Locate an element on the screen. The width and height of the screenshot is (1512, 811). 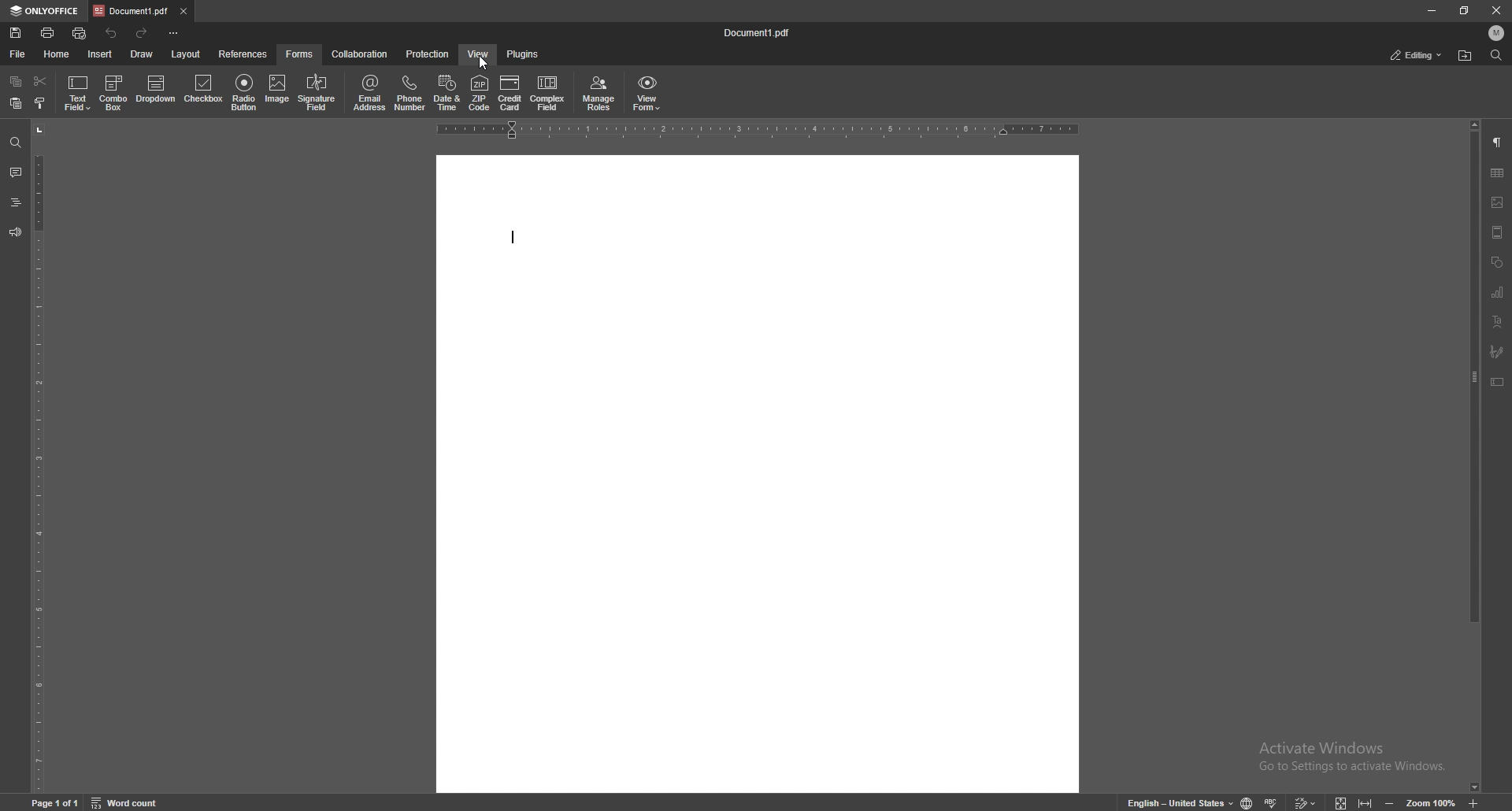
onlyoffice is located at coordinates (44, 11).